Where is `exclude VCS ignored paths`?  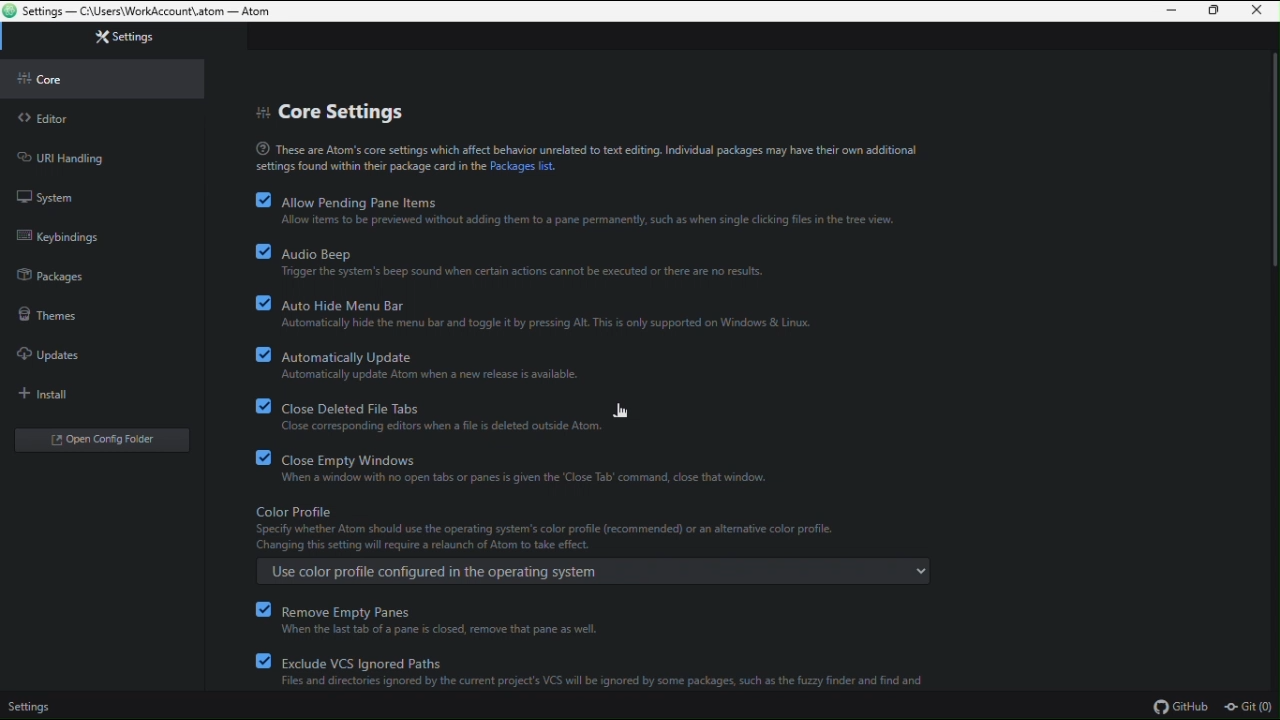 exclude VCS ignored paths is located at coordinates (602, 672).